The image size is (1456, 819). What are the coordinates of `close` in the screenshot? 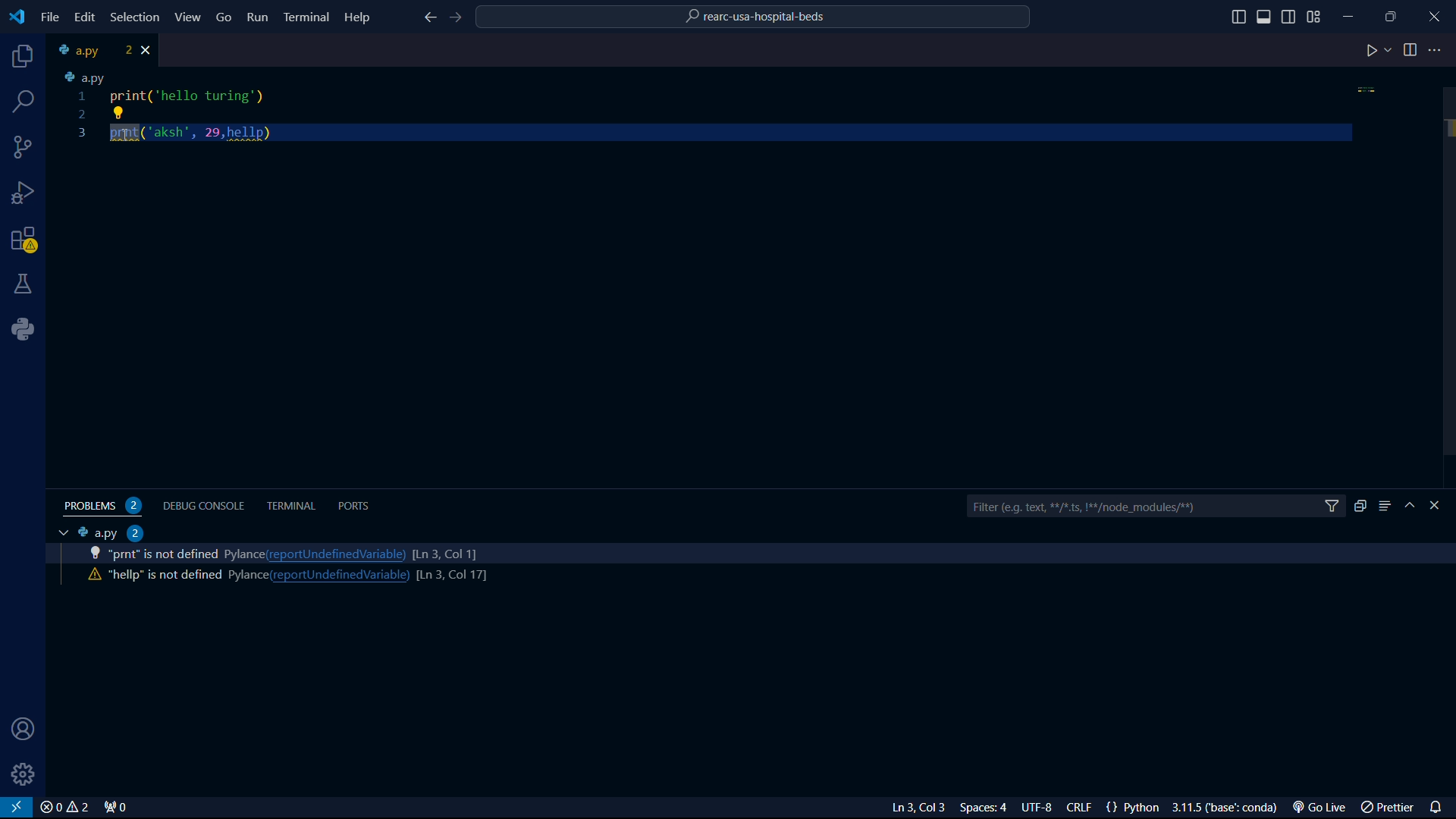 It's located at (64, 808).